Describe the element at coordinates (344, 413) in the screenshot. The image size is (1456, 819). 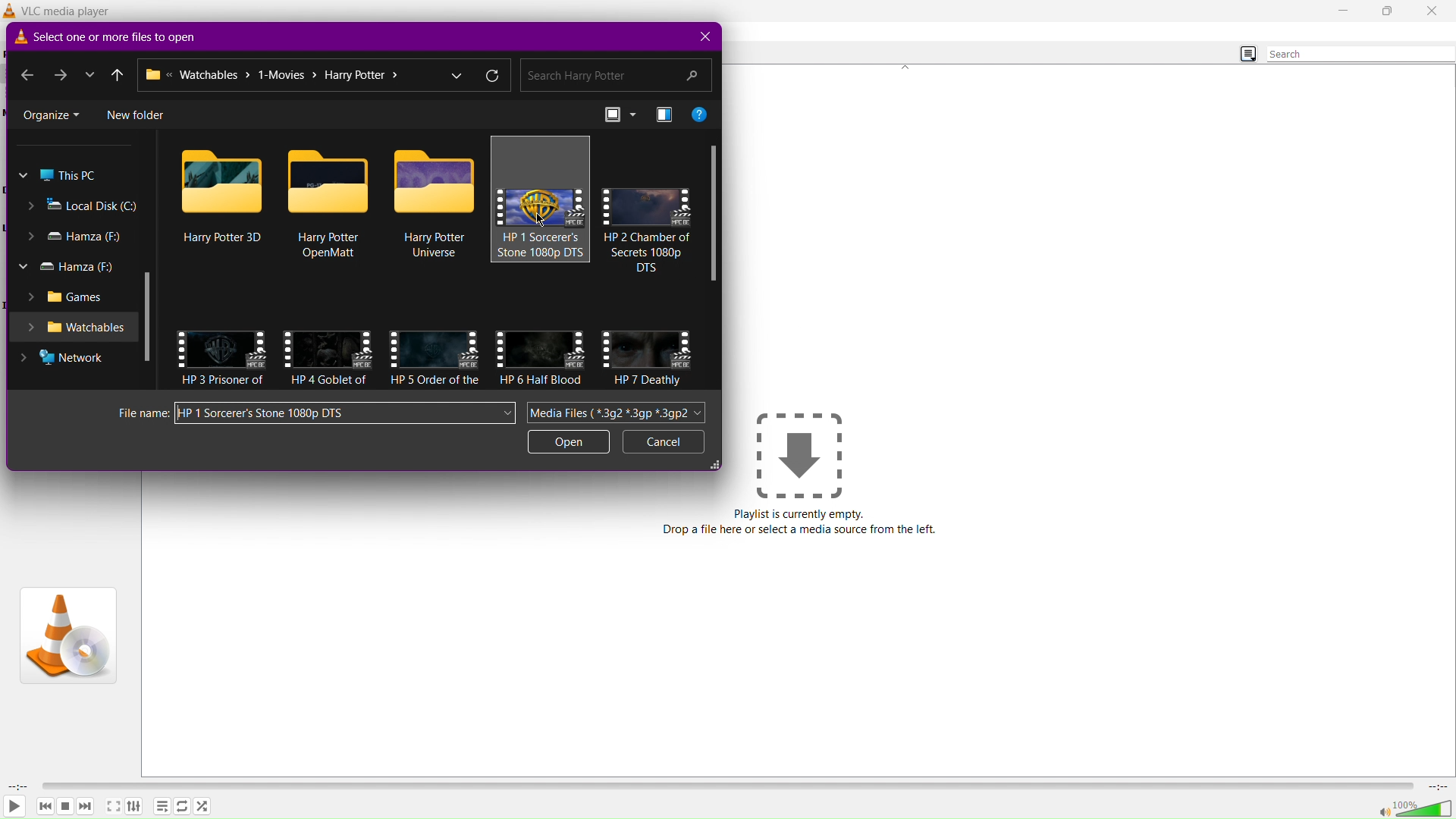
I see `File name` at that location.